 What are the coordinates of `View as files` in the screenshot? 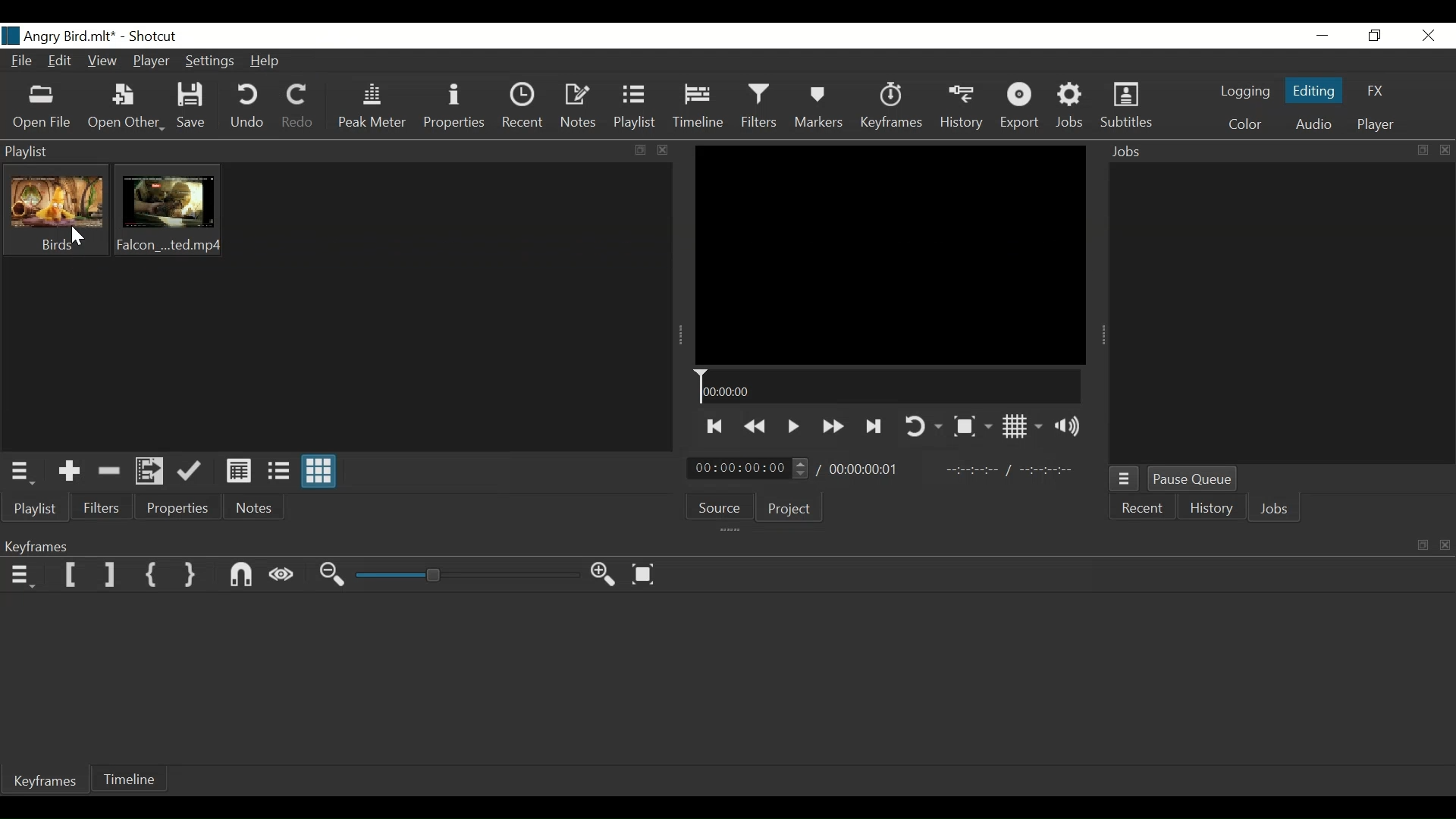 It's located at (281, 473).